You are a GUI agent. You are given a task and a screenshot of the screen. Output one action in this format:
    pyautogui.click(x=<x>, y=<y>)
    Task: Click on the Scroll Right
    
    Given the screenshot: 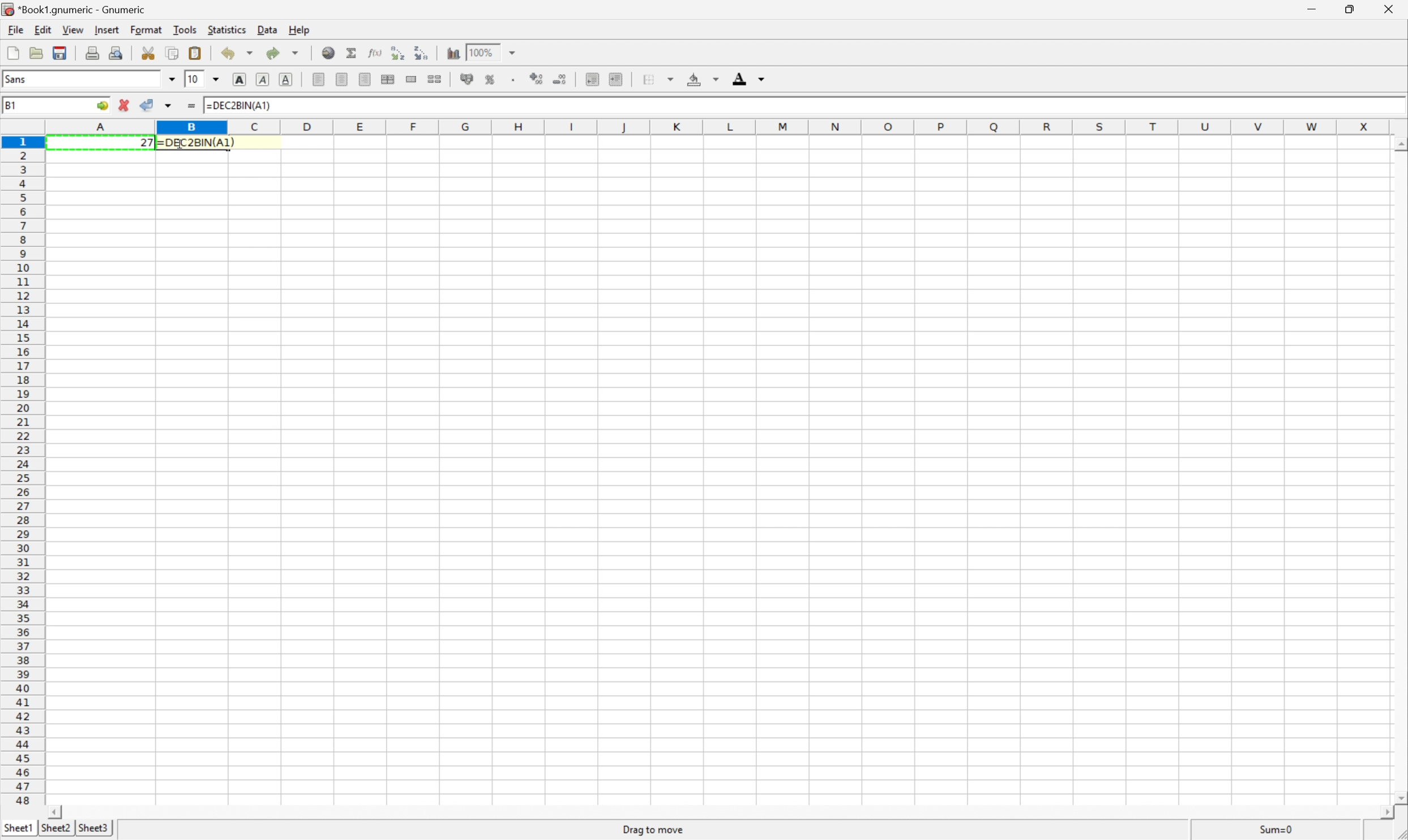 What is the action you would take?
    pyautogui.click(x=1381, y=810)
    